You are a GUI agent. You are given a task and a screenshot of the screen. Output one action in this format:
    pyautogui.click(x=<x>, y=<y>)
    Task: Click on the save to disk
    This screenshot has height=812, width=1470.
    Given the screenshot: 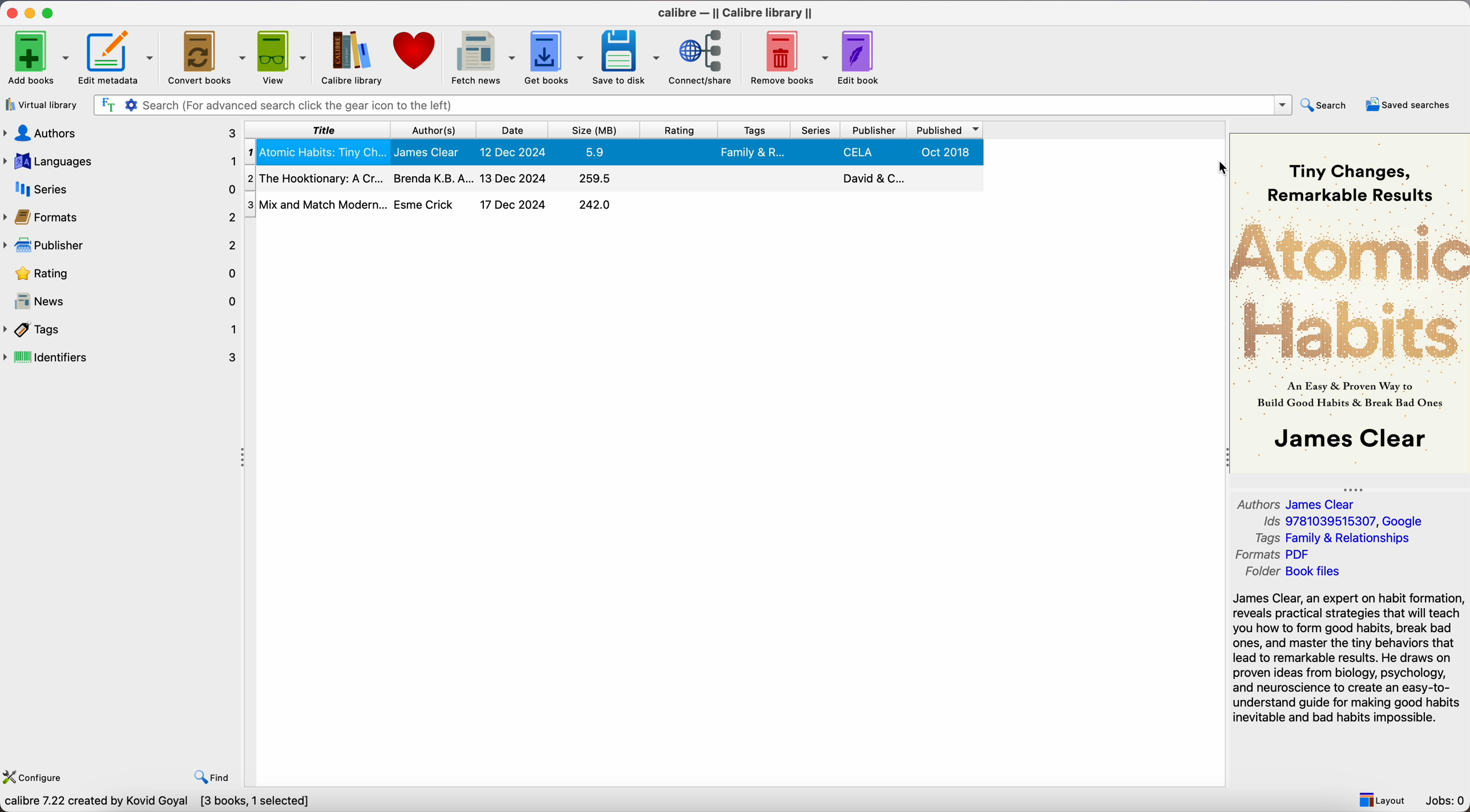 What is the action you would take?
    pyautogui.click(x=627, y=58)
    